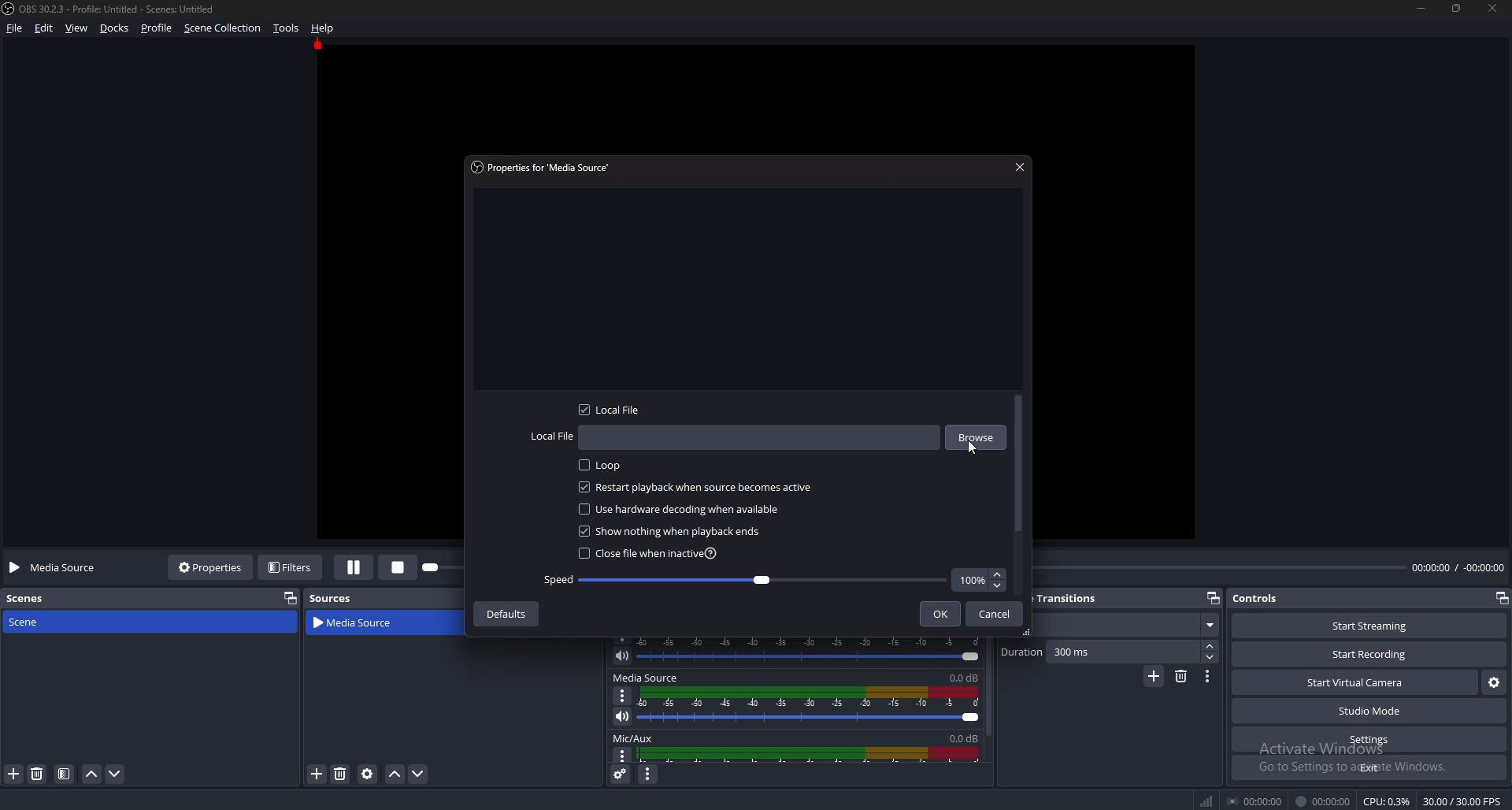 The height and width of the screenshot is (810, 1512). I want to click on No source selected, so click(57, 567).